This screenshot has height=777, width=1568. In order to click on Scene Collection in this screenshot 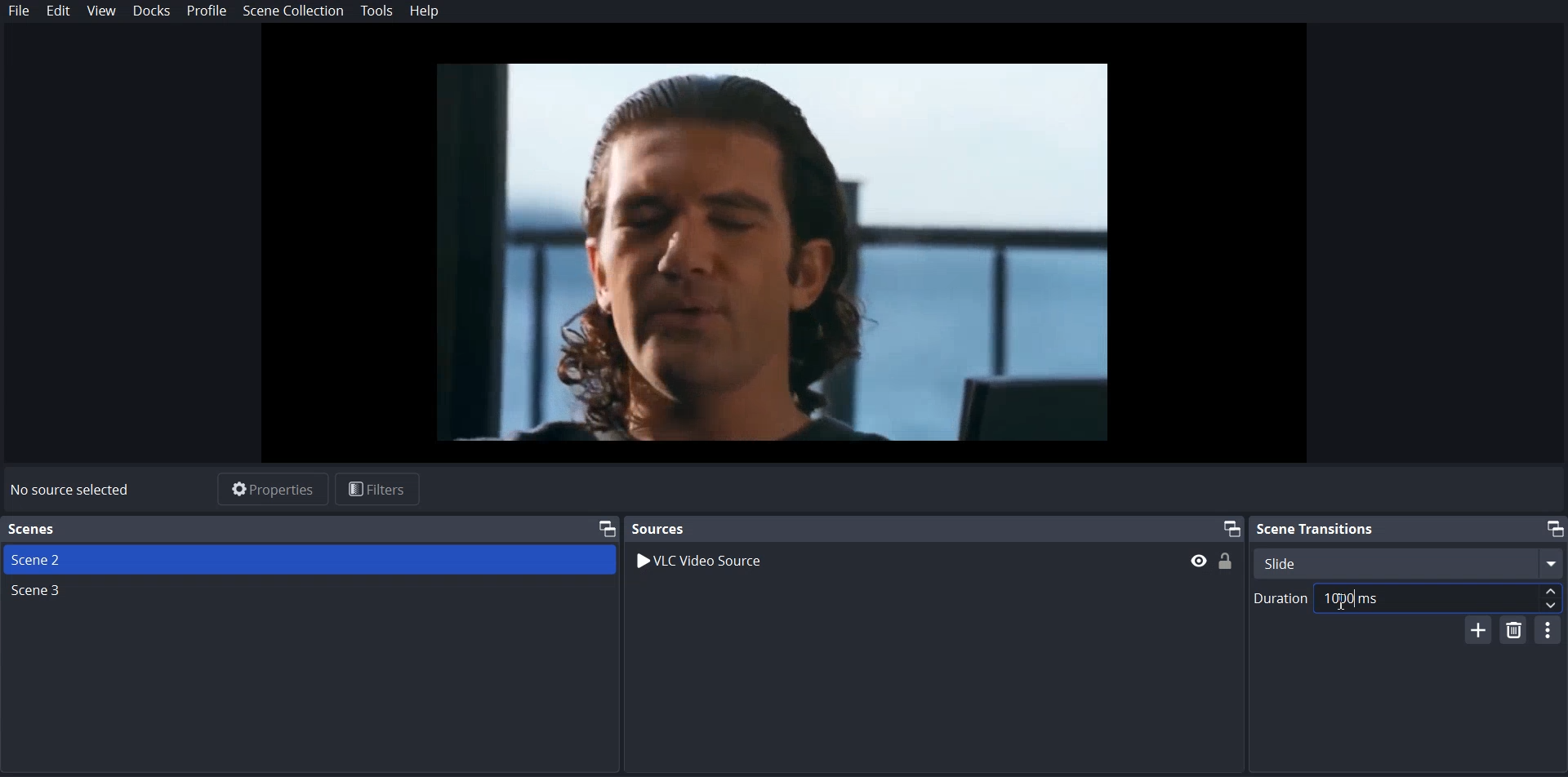, I will do `click(294, 12)`.